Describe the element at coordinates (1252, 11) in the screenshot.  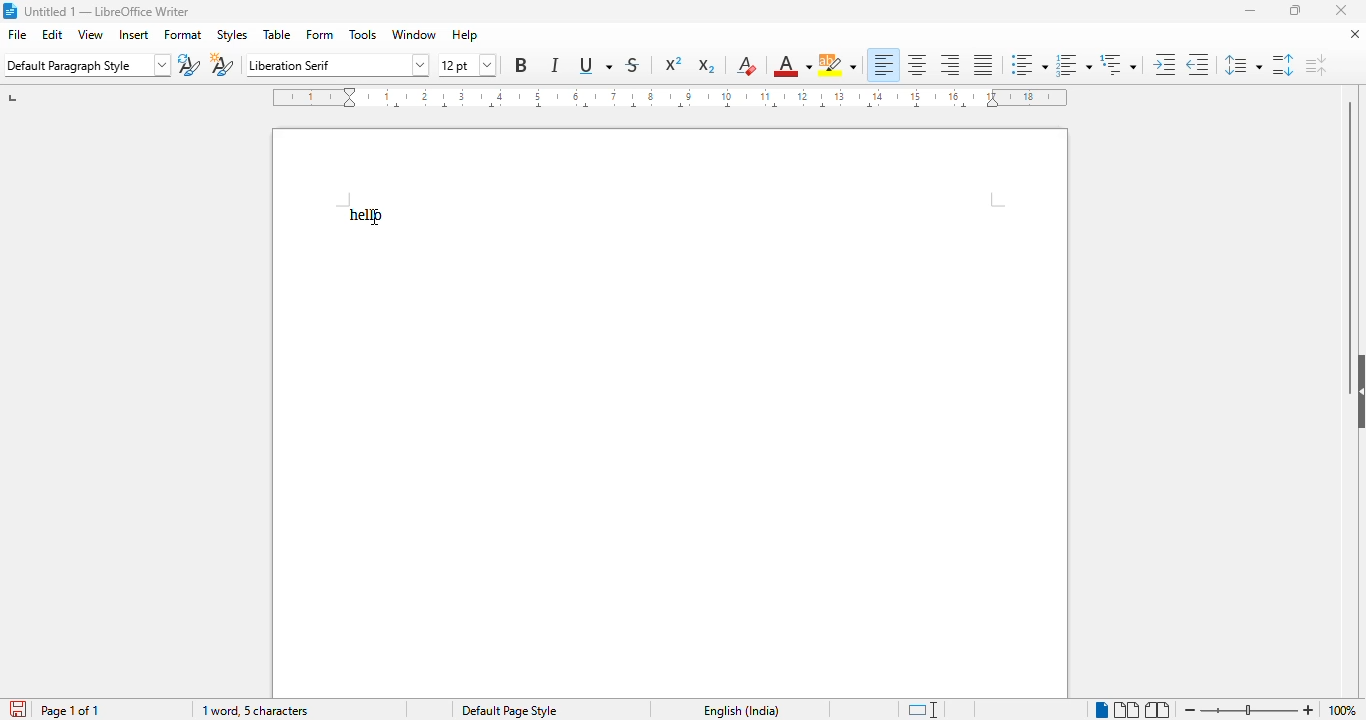
I see `minimize` at that location.